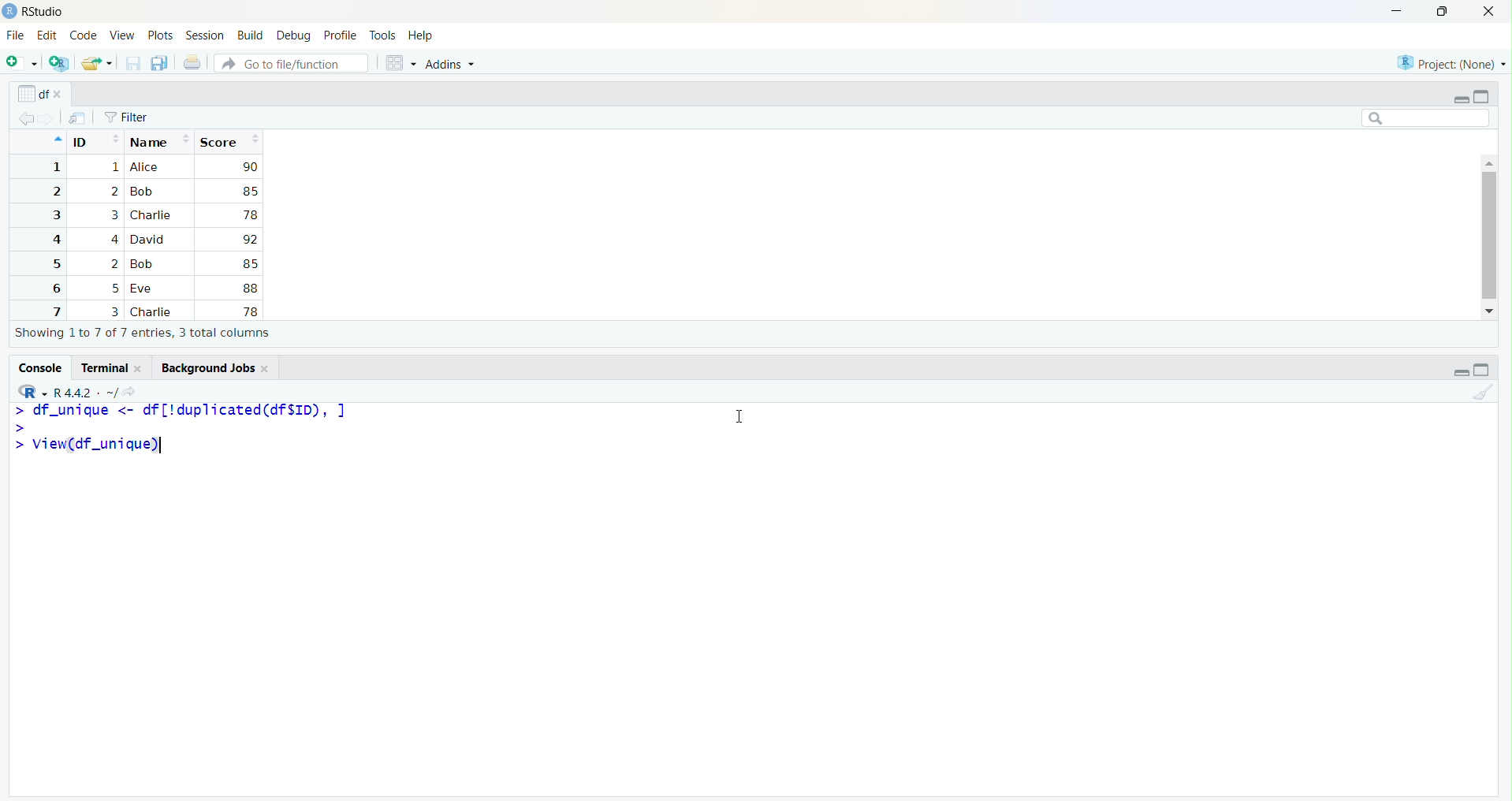 Image resolution: width=1512 pixels, height=801 pixels. Describe the element at coordinates (400, 63) in the screenshot. I see `view options` at that location.